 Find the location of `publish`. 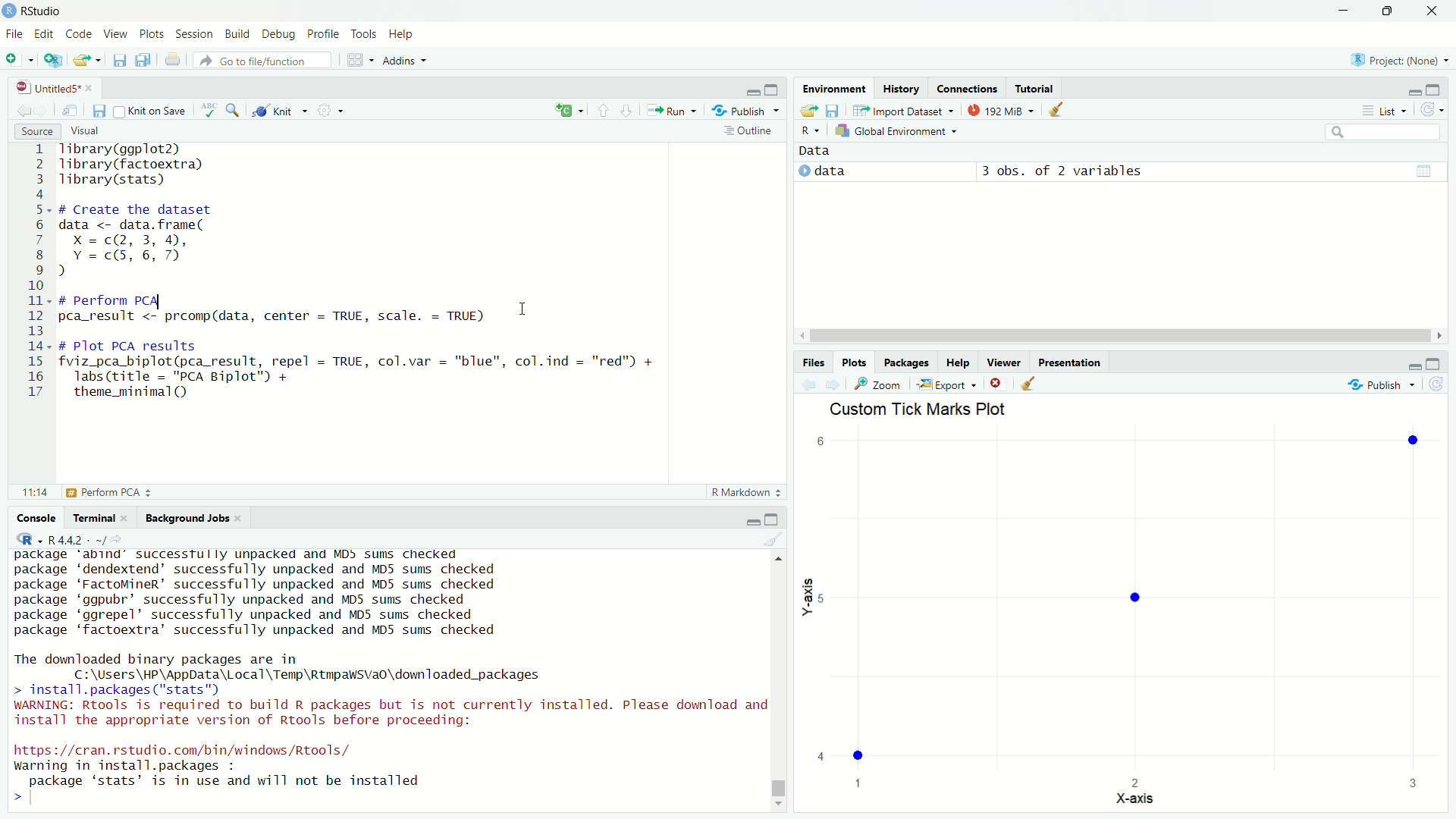

publish is located at coordinates (1382, 382).